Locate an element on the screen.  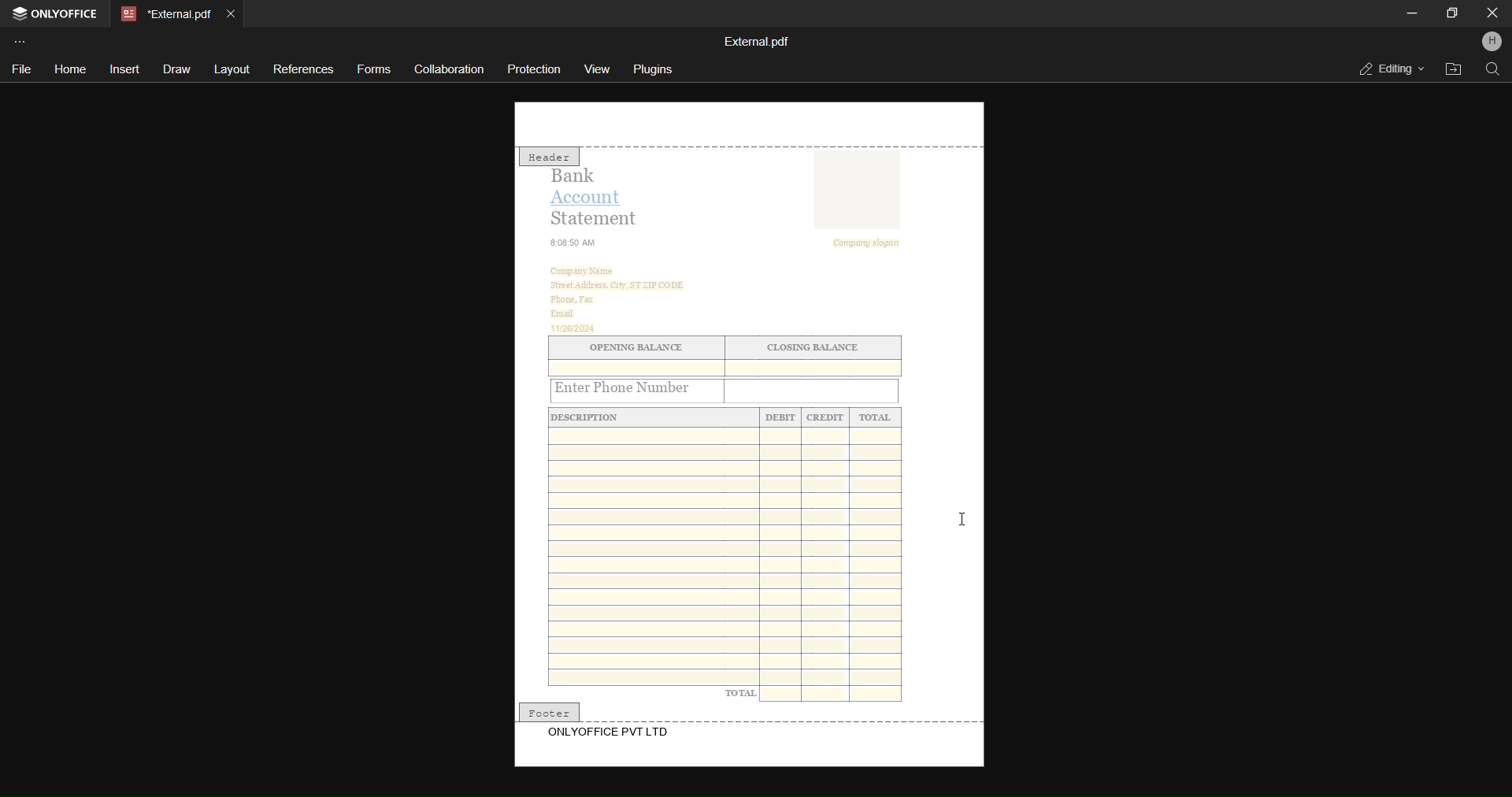
protection is located at coordinates (535, 69).